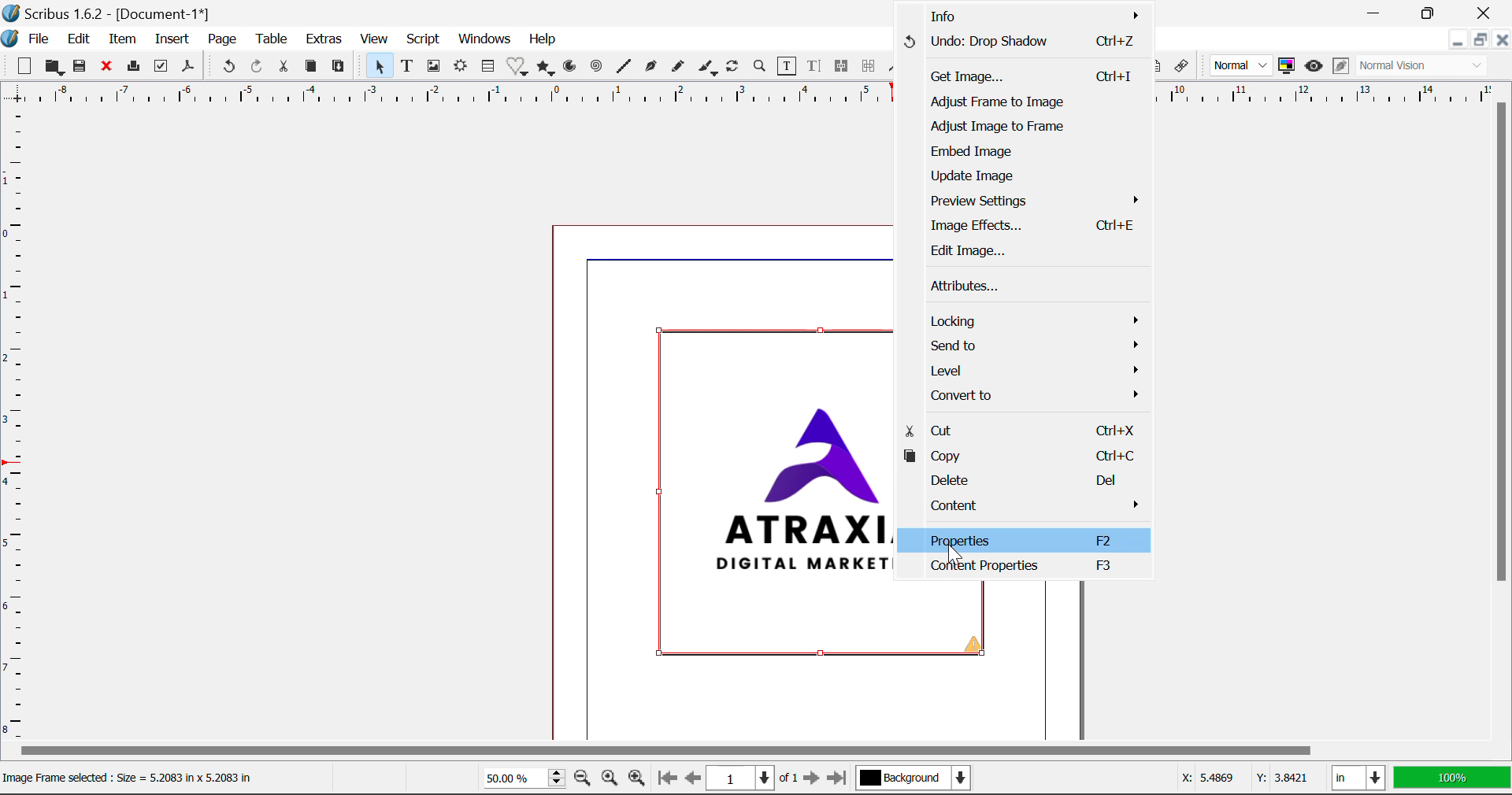 This screenshot has width=1512, height=795. What do you see at coordinates (1039, 177) in the screenshot?
I see `Update Image` at bounding box center [1039, 177].